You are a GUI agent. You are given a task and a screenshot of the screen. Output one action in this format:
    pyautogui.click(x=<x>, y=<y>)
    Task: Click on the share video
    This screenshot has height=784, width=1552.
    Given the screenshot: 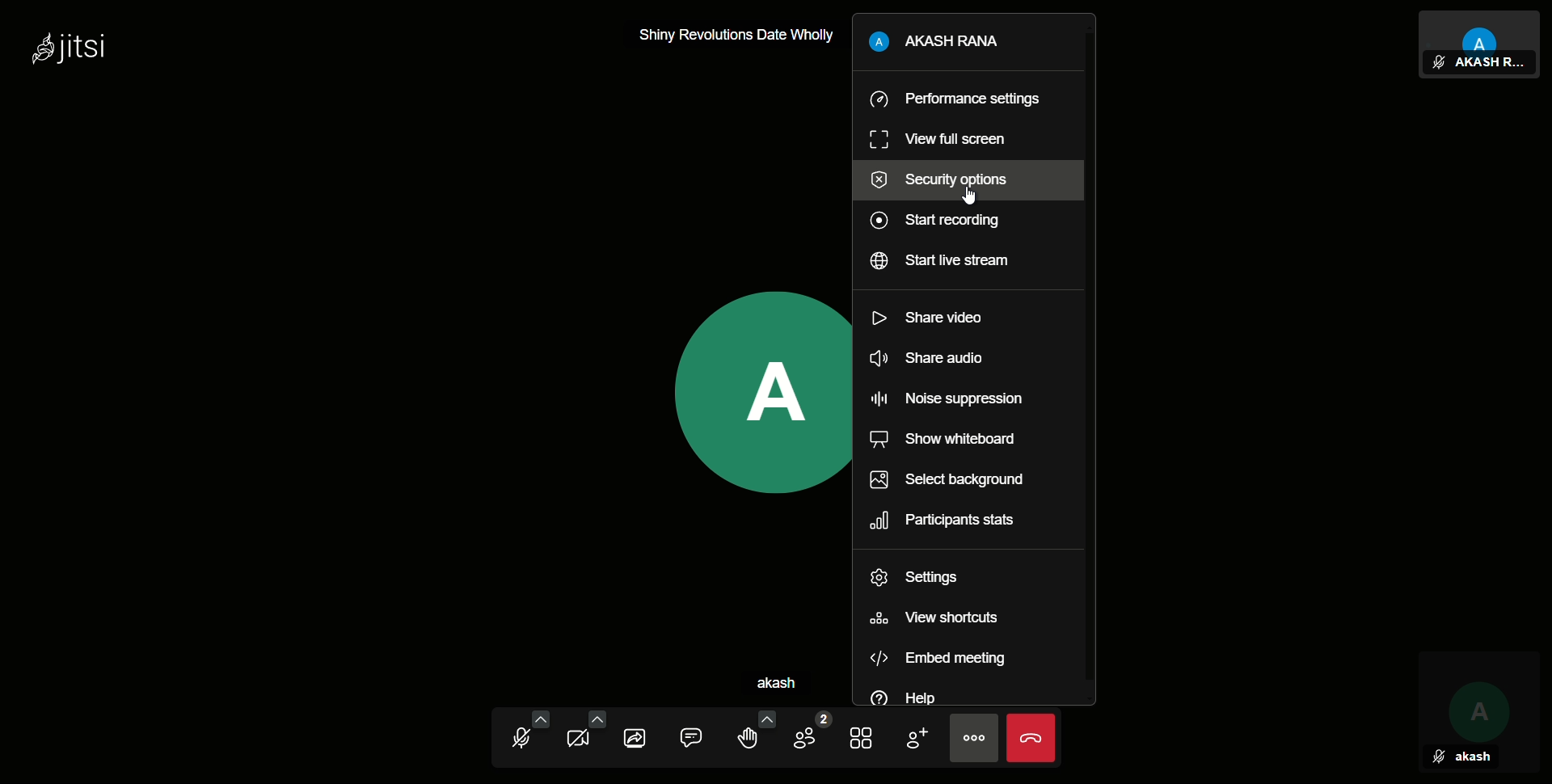 What is the action you would take?
    pyautogui.click(x=928, y=317)
    